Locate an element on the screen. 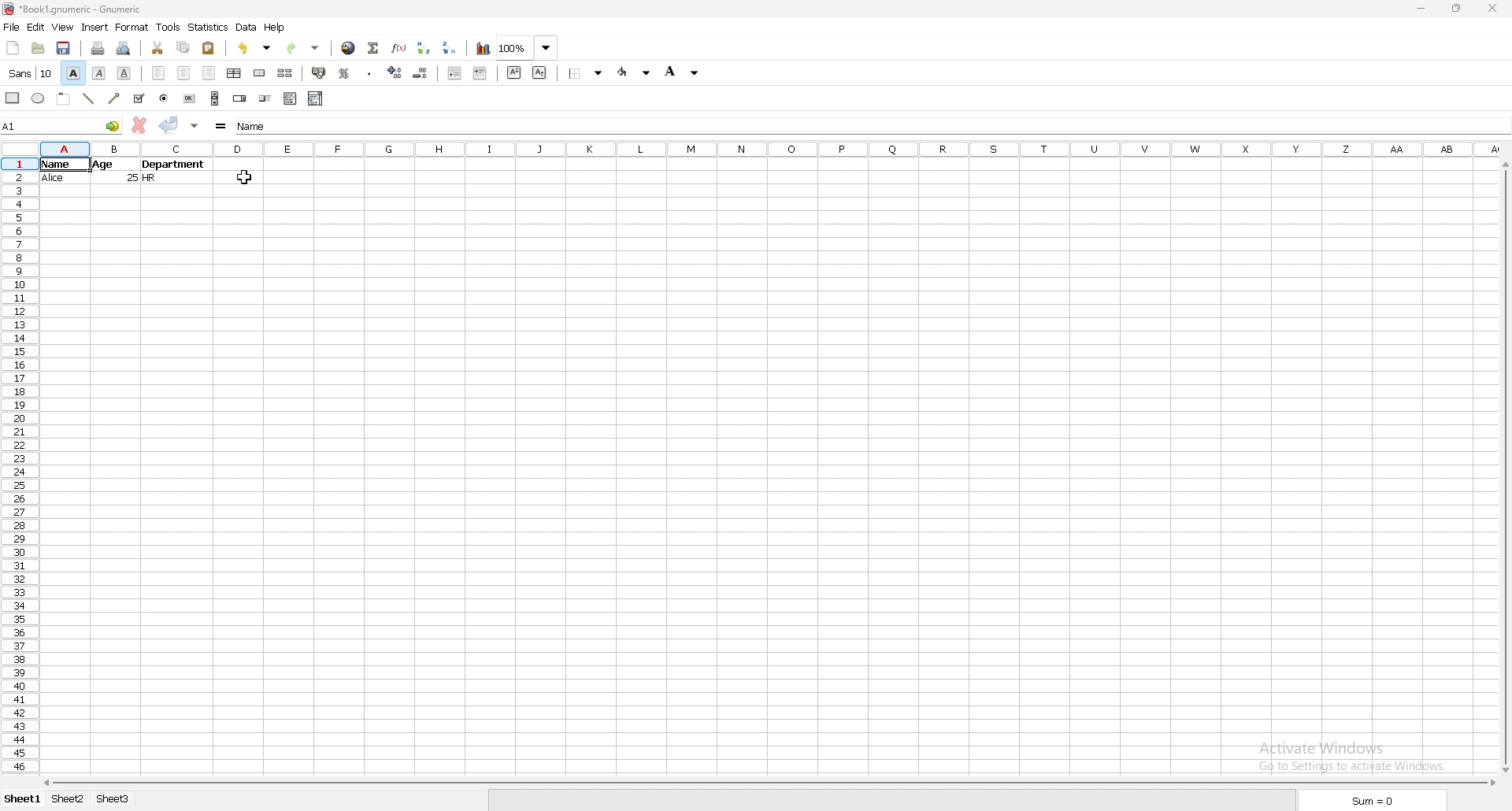 This screenshot has width=1512, height=811. selected cell is located at coordinates (870, 127).